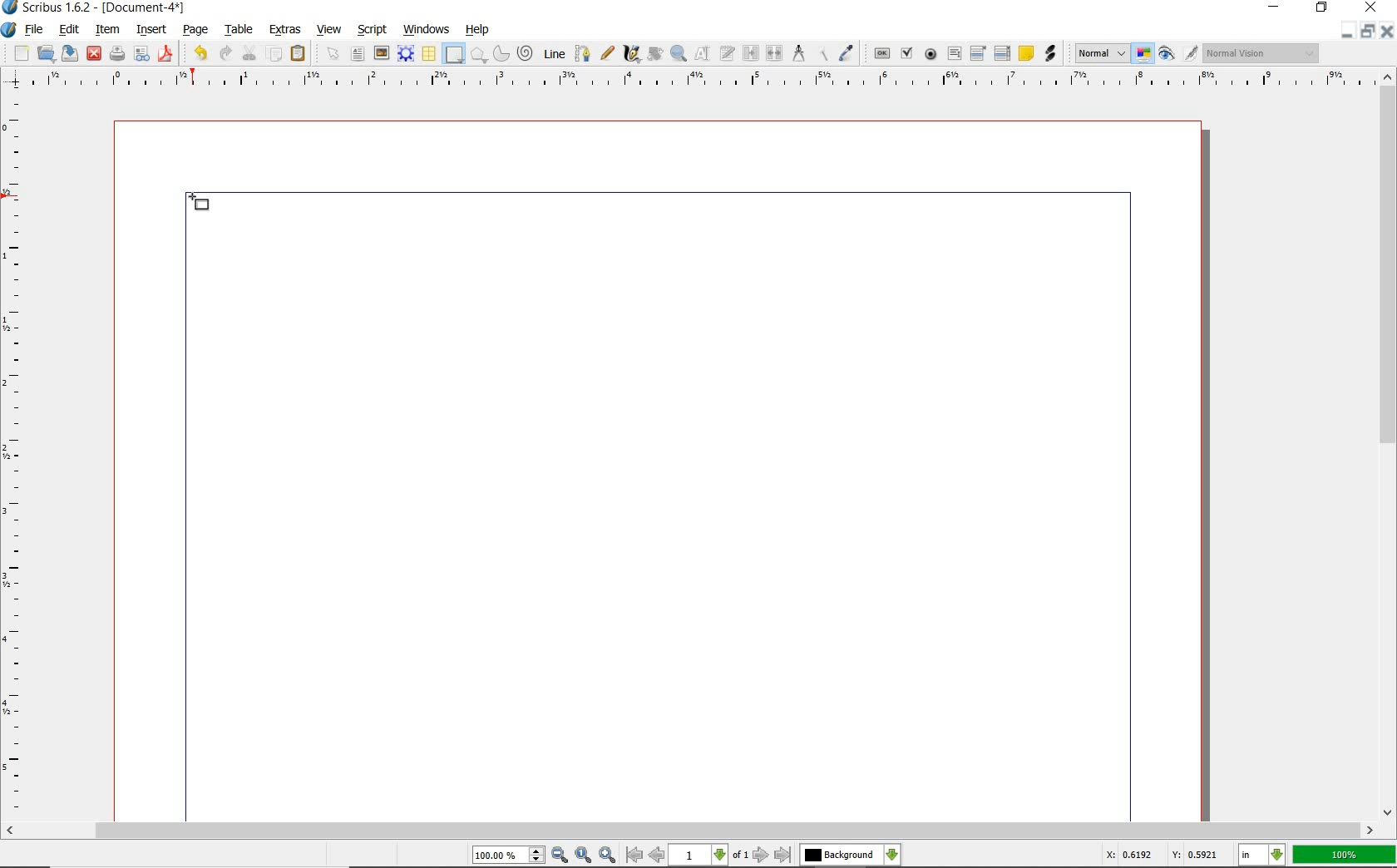  Describe the element at coordinates (374, 30) in the screenshot. I see `script` at that location.